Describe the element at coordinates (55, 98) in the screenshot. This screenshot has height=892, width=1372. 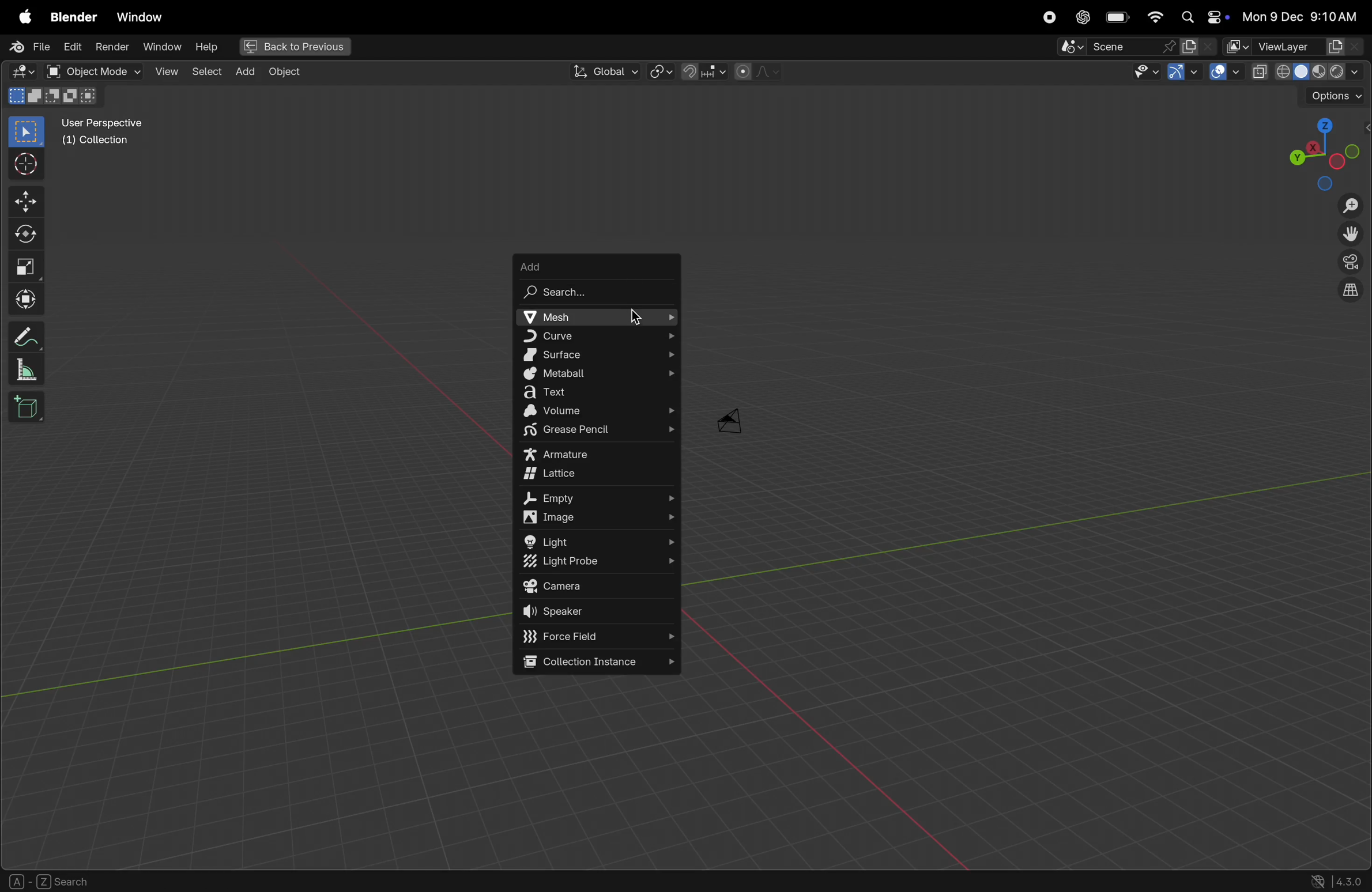
I see `mode` at that location.